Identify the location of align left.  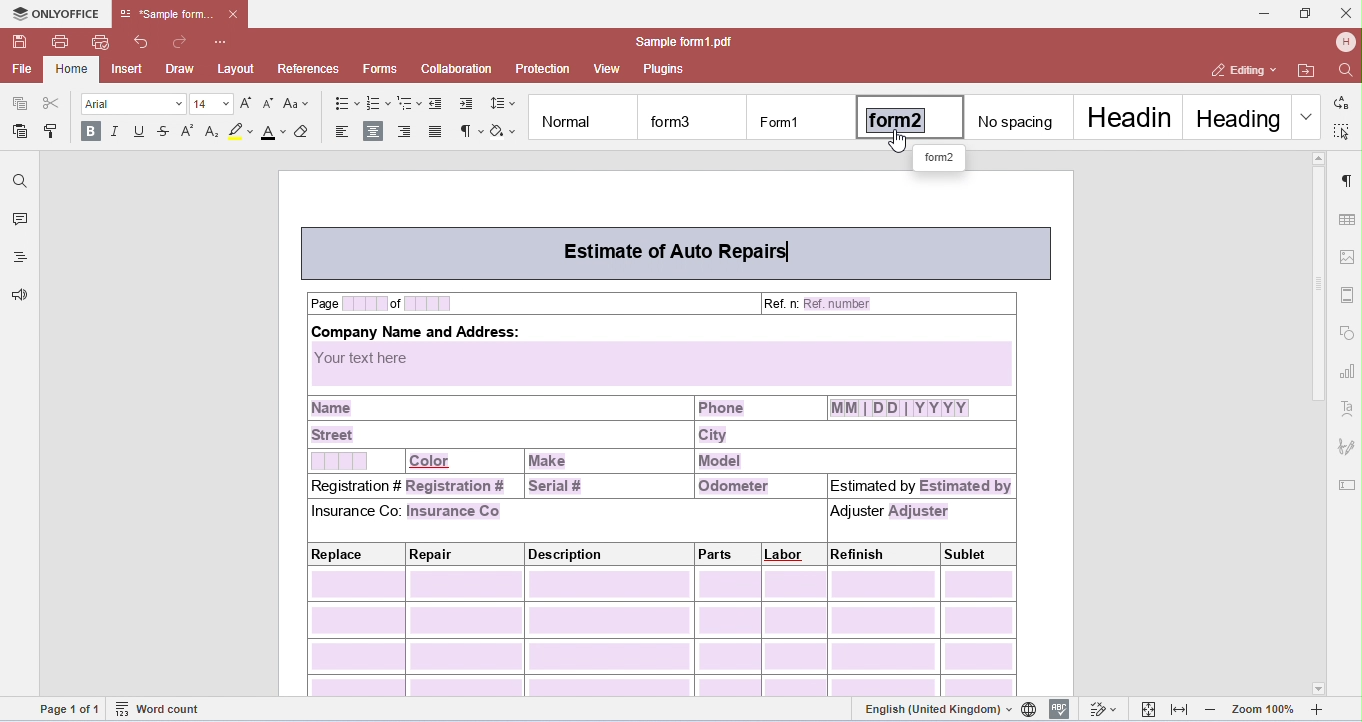
(342, 130).